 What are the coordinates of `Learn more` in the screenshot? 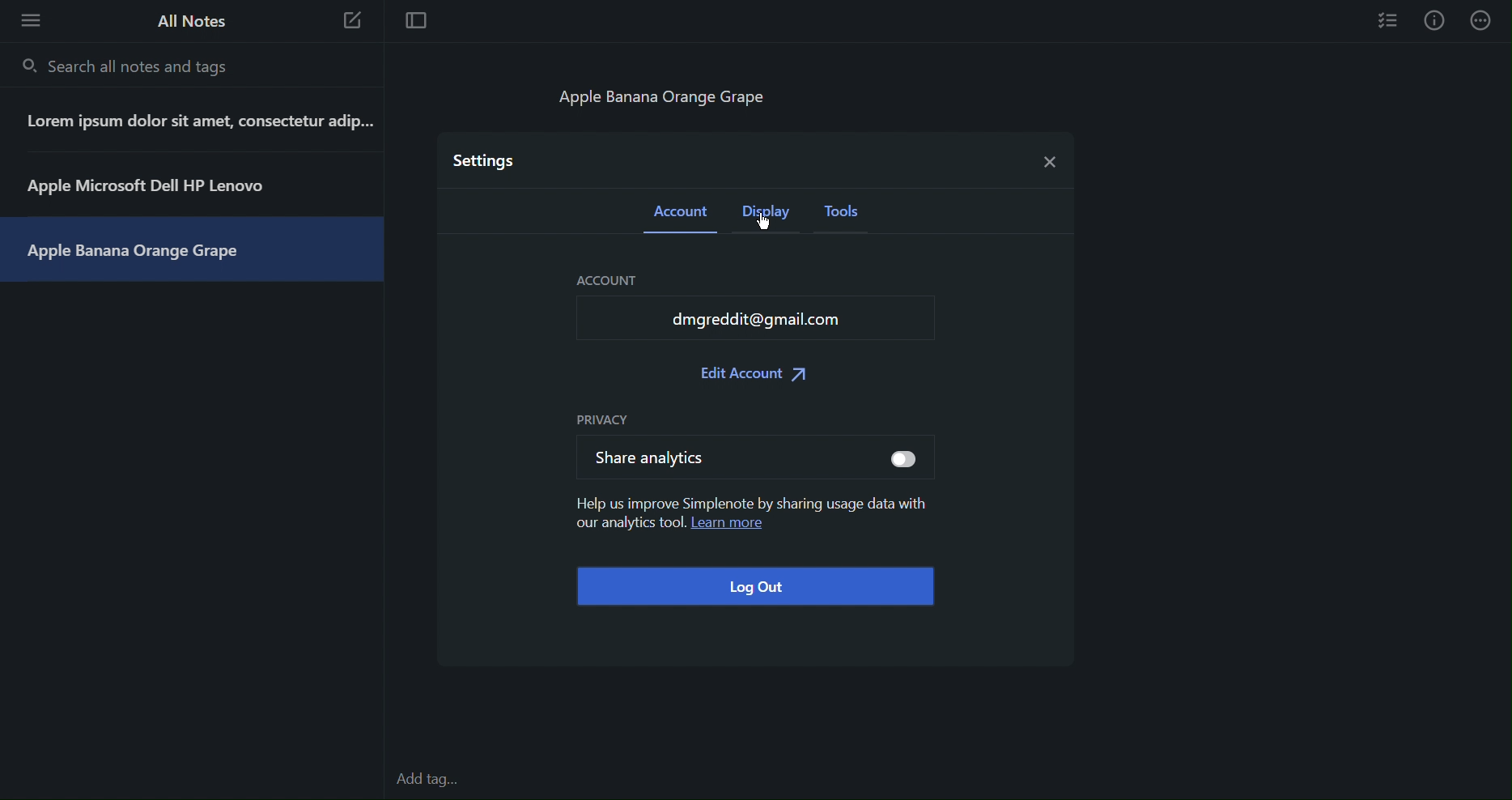 It's located at (735, 526).